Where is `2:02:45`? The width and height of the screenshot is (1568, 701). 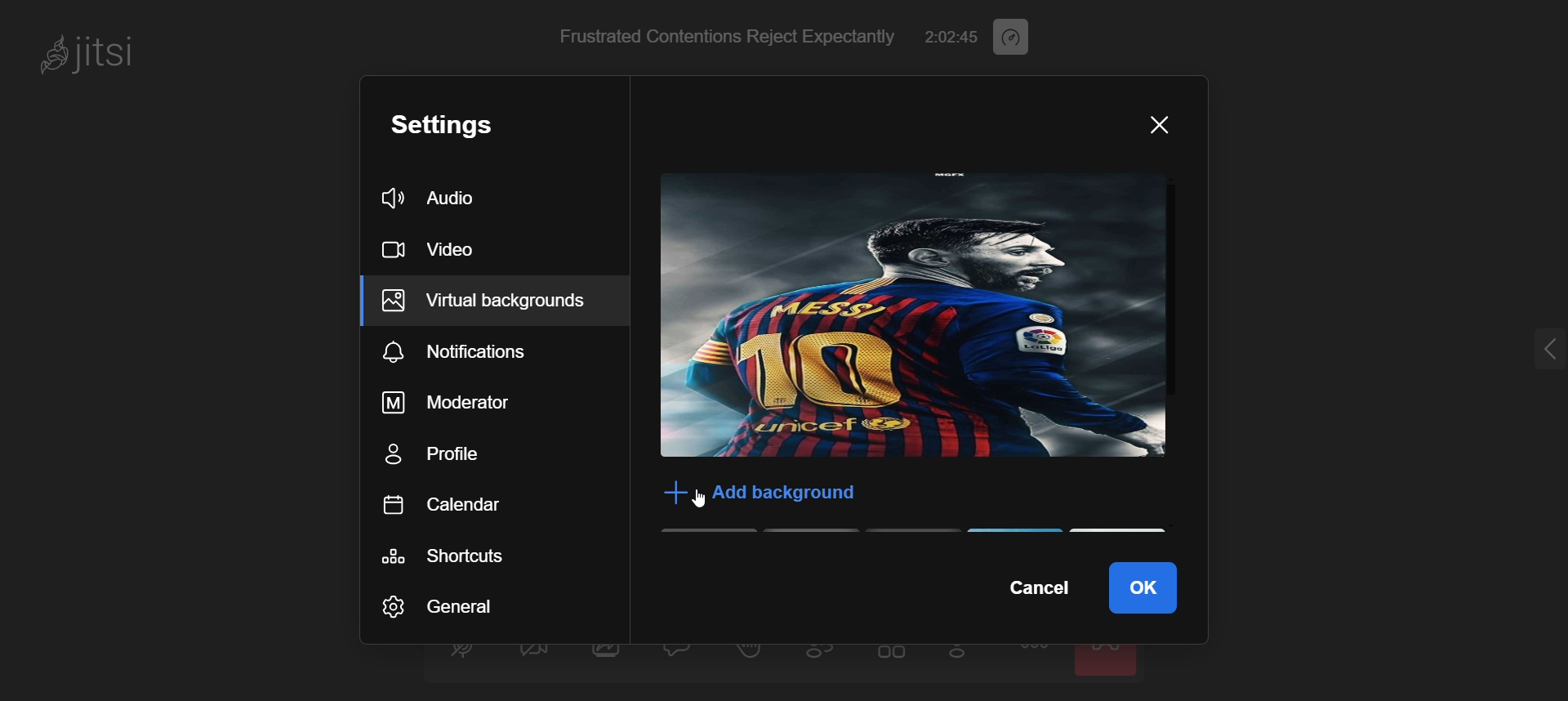 2:02:45 is located at coordinates (954, 34).